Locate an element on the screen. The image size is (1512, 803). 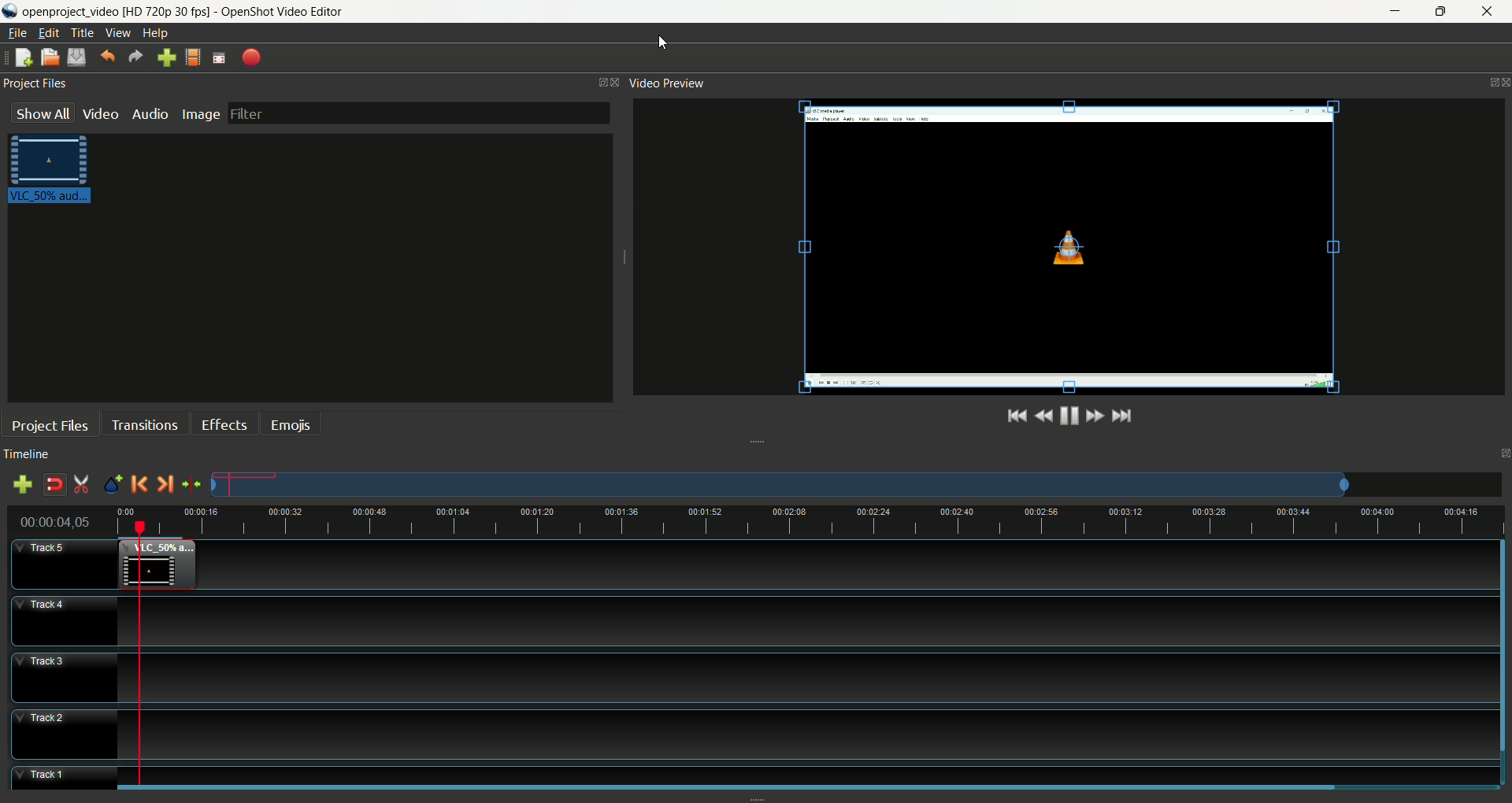
transition is located at coordinates (144, 424).